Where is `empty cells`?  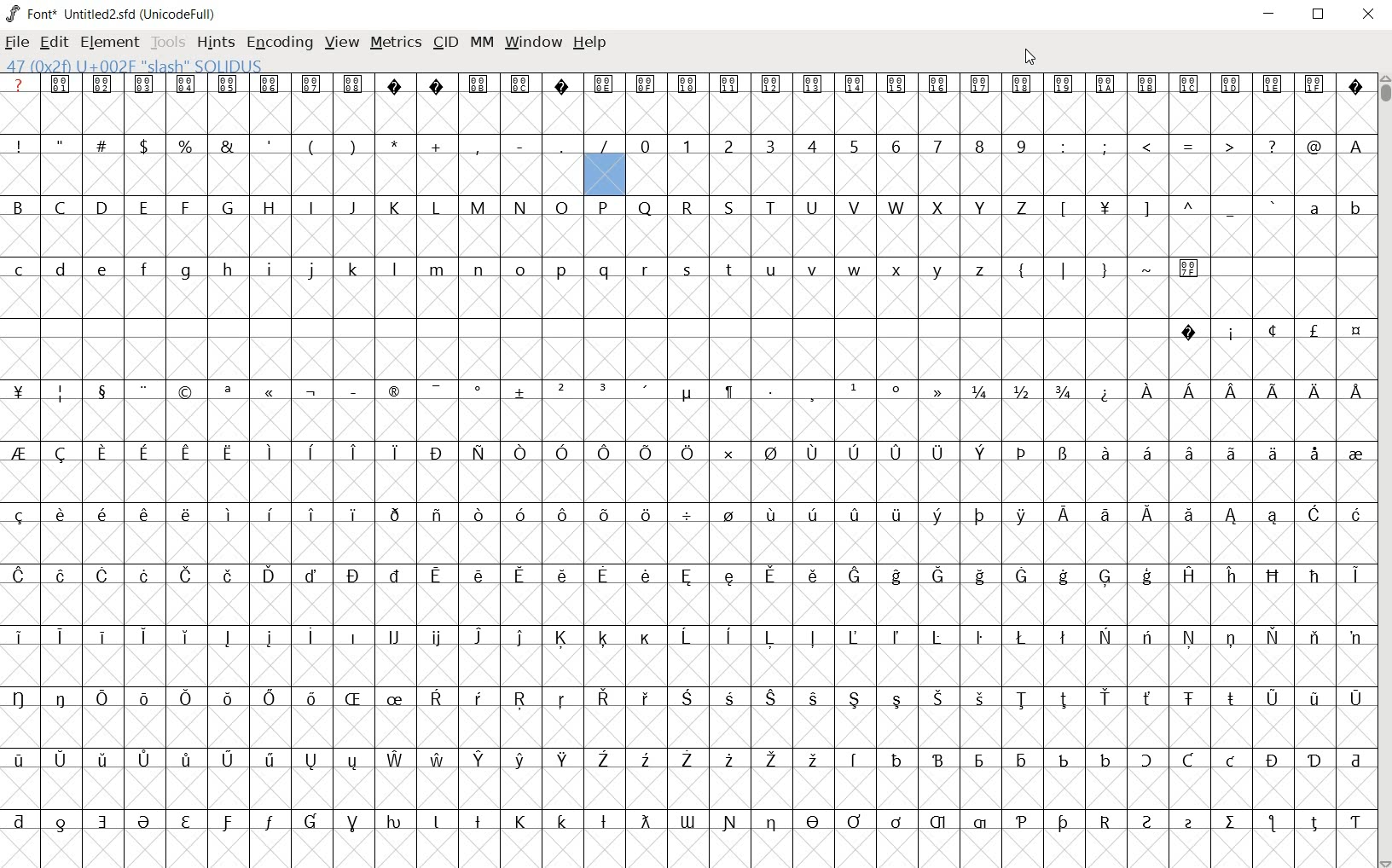
empty cells is located at coordinates (686, 297).